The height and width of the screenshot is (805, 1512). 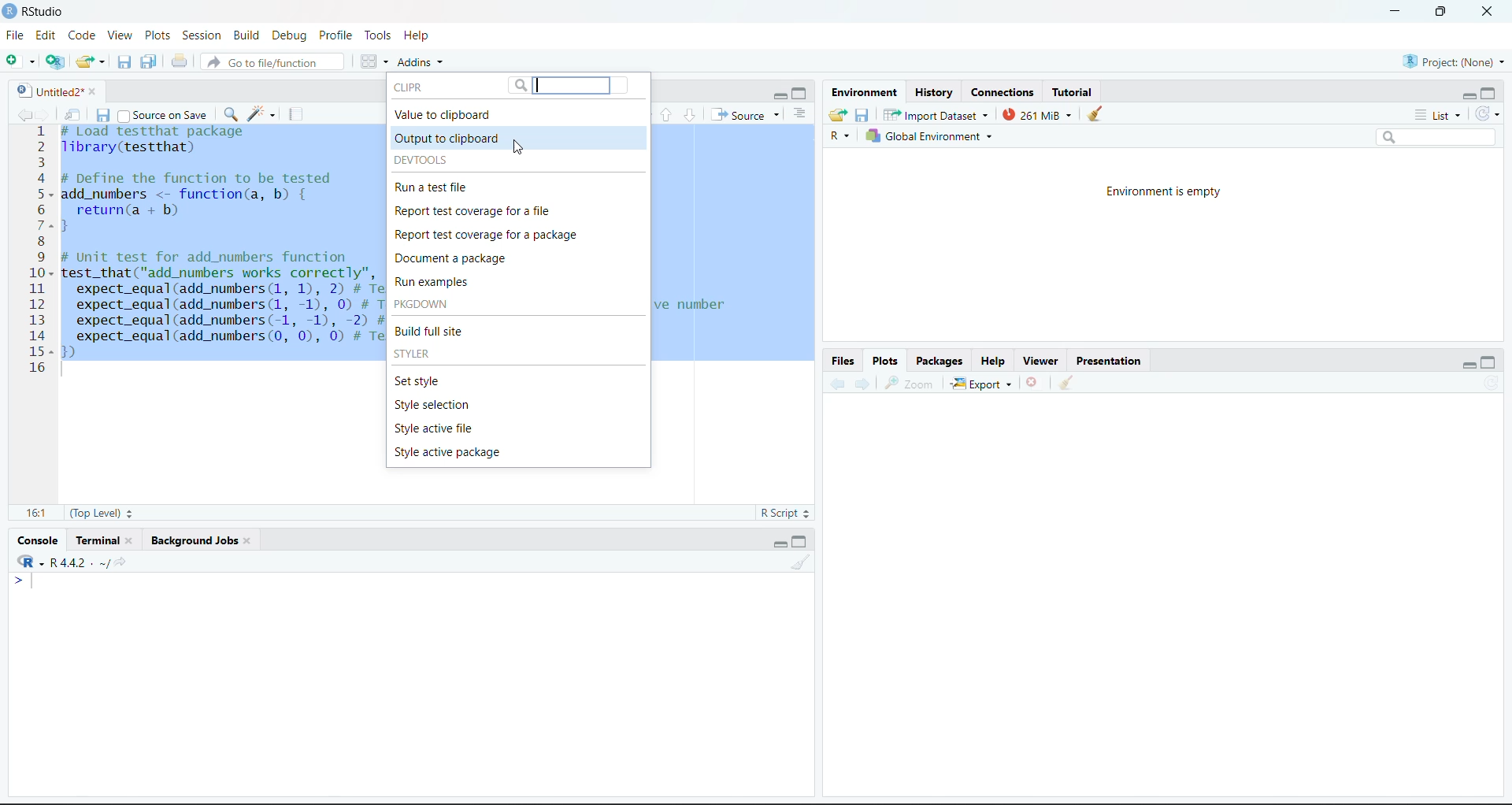 What do you see at coordinates (1075, 91) in the screenshot?
I see `Tutorial` at bounding box center [1075, 91].